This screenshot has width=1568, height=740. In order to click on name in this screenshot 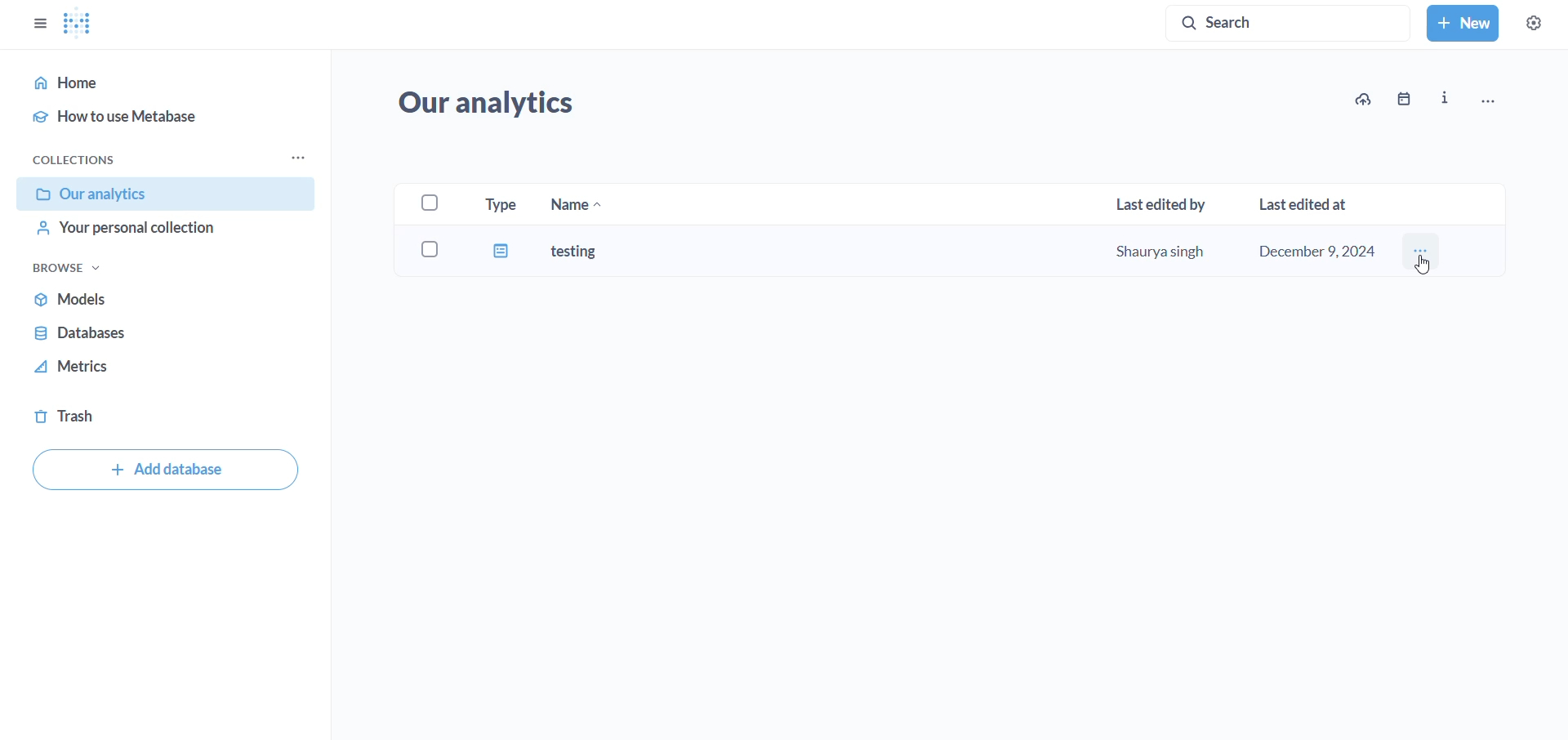, I will do `click(573, 203)`.